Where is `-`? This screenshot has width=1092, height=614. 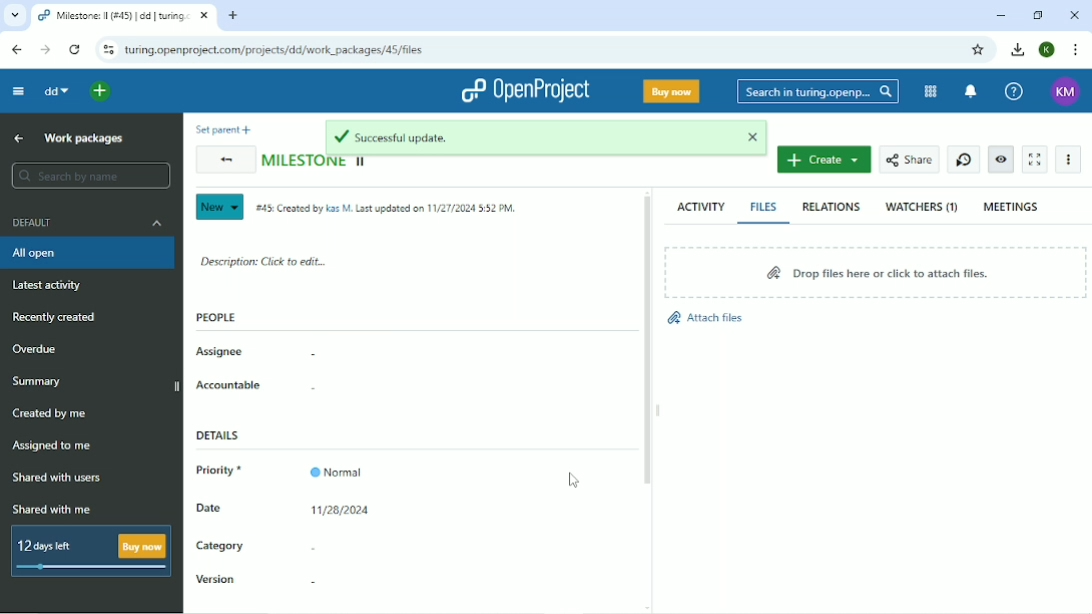
- is located at coordinates (308, 390).